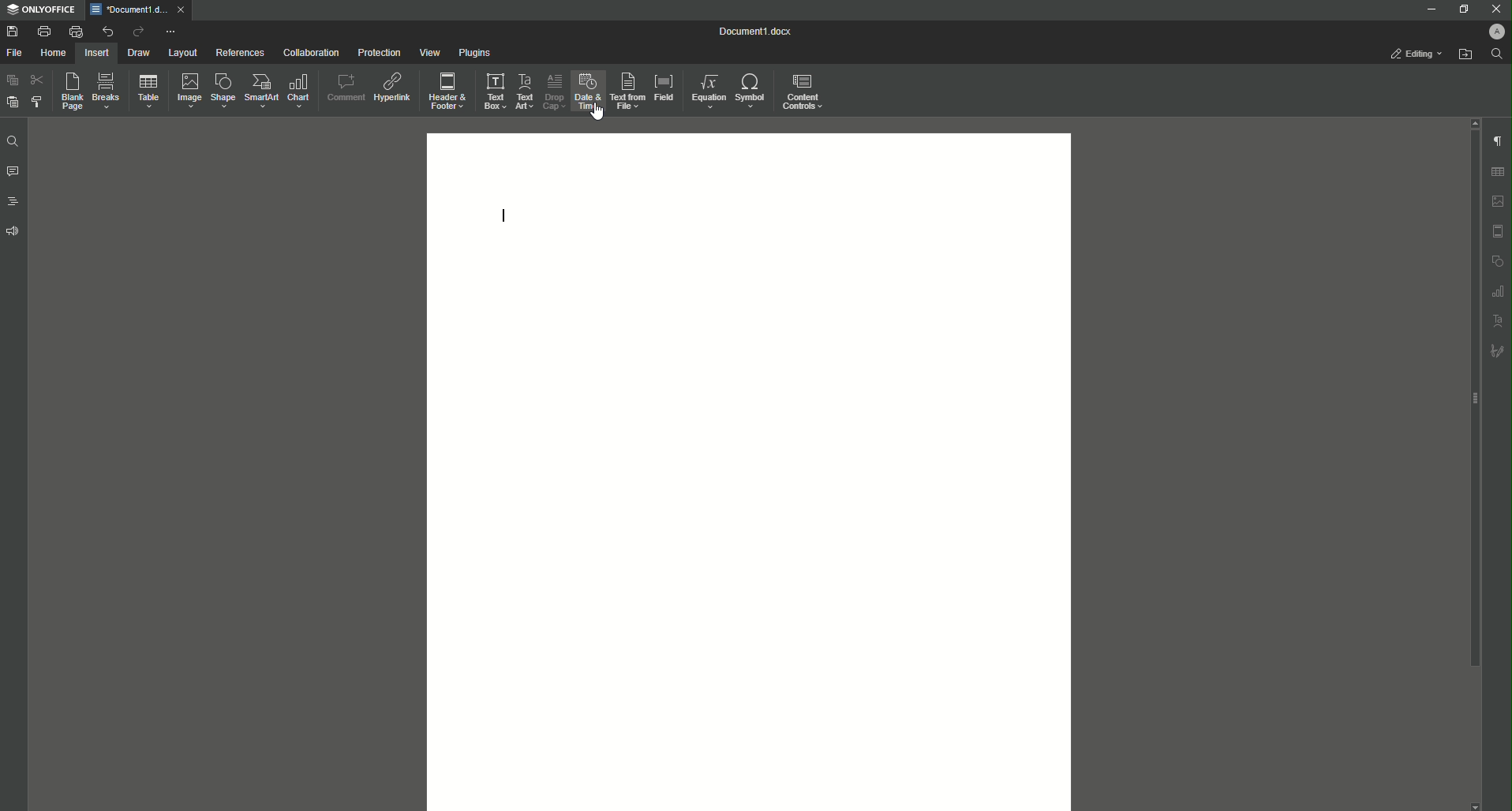 The height and width of the screenshot is (811, 1512). Describe the element at coordinates (14, 231) in the screenshot. I see `Feedback` at that location.